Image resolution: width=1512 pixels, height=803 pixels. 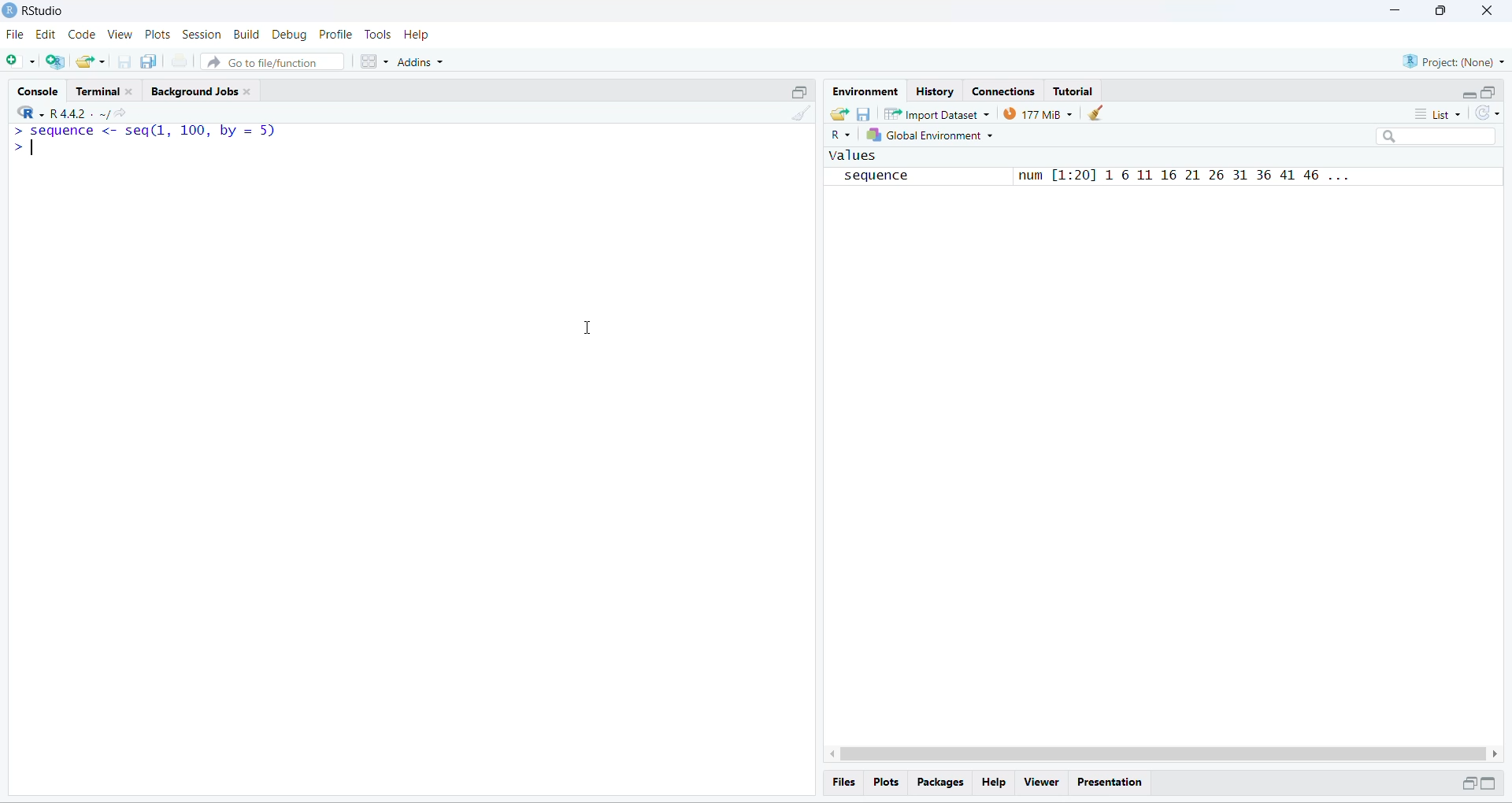 What do you see at coordinates (585, 328) in the screenshot?
I see `cursor` at bounding box center [585, 328].